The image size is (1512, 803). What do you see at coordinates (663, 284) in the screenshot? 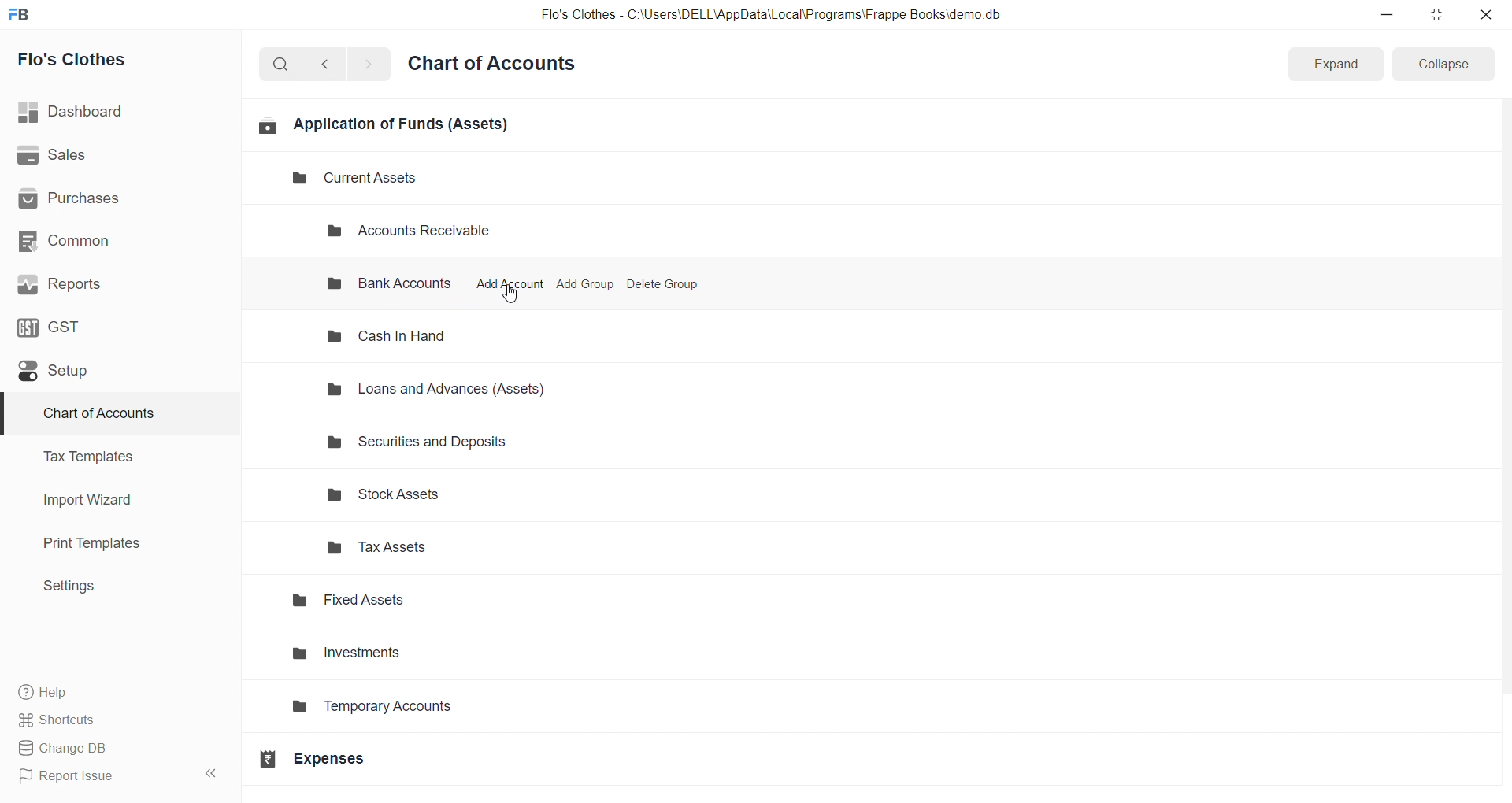
I see `Delete Group` at bounding box center [663, 284].